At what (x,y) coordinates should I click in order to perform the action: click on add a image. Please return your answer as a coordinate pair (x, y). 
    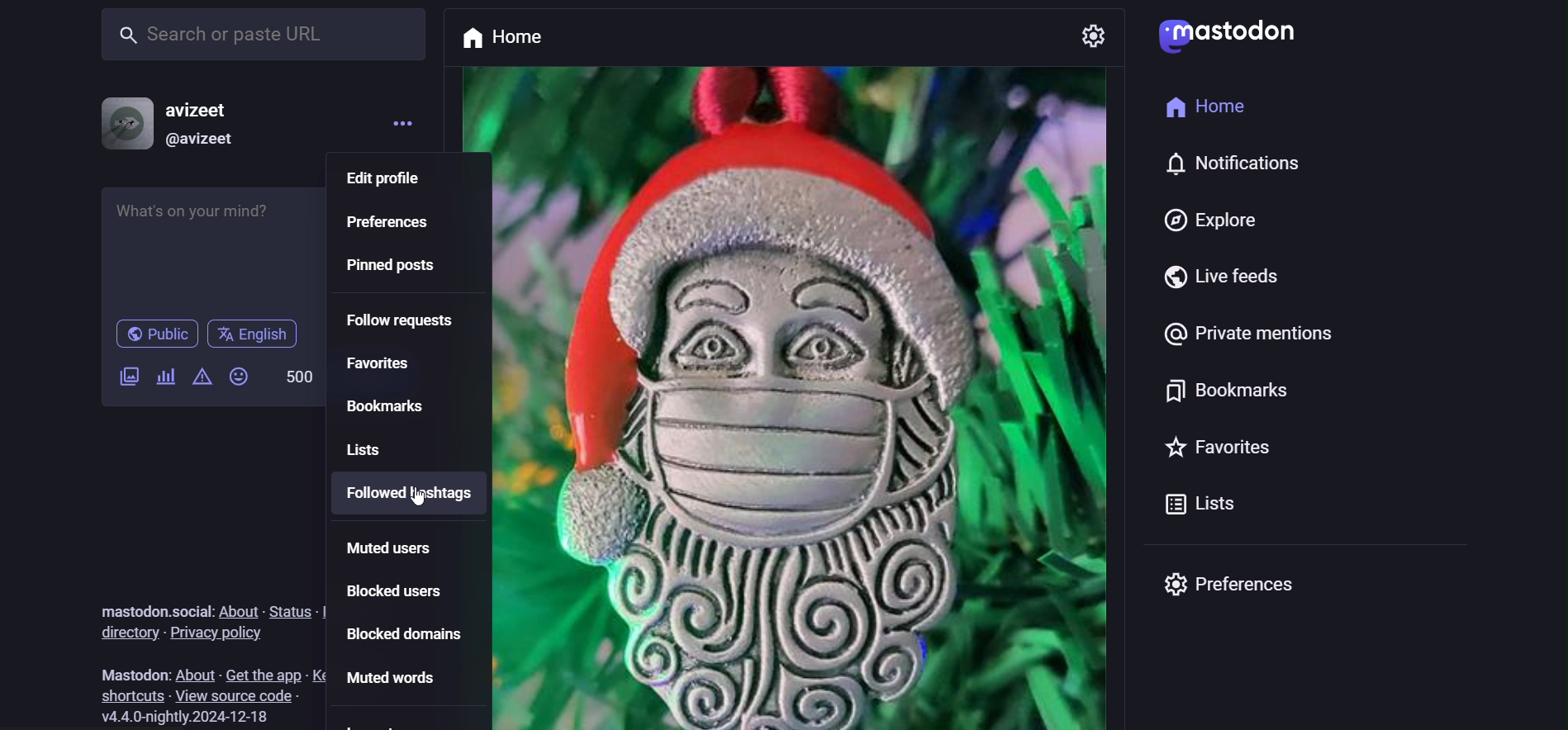
    Looking at the image, I should click on (126, 378).